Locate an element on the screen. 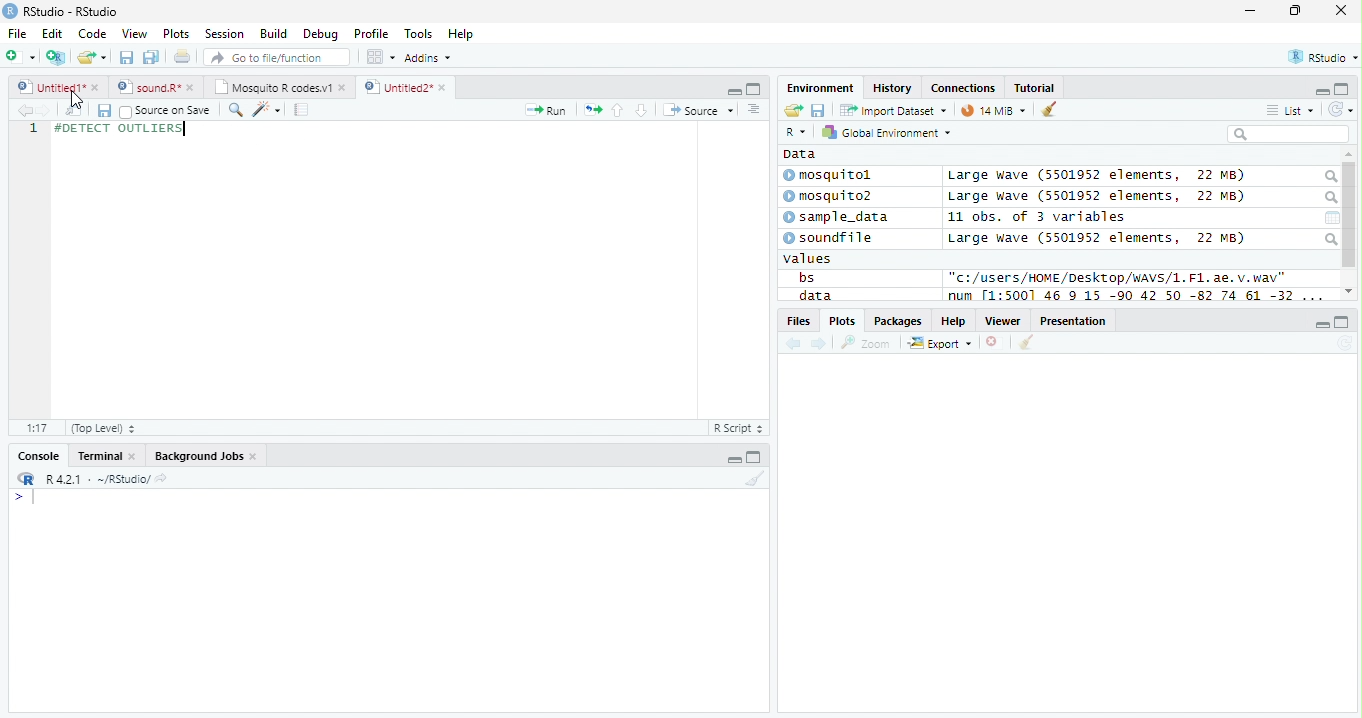 The image size is (1362, 718). #DETECT OUTLIERS is located at coordinates (117, 131).